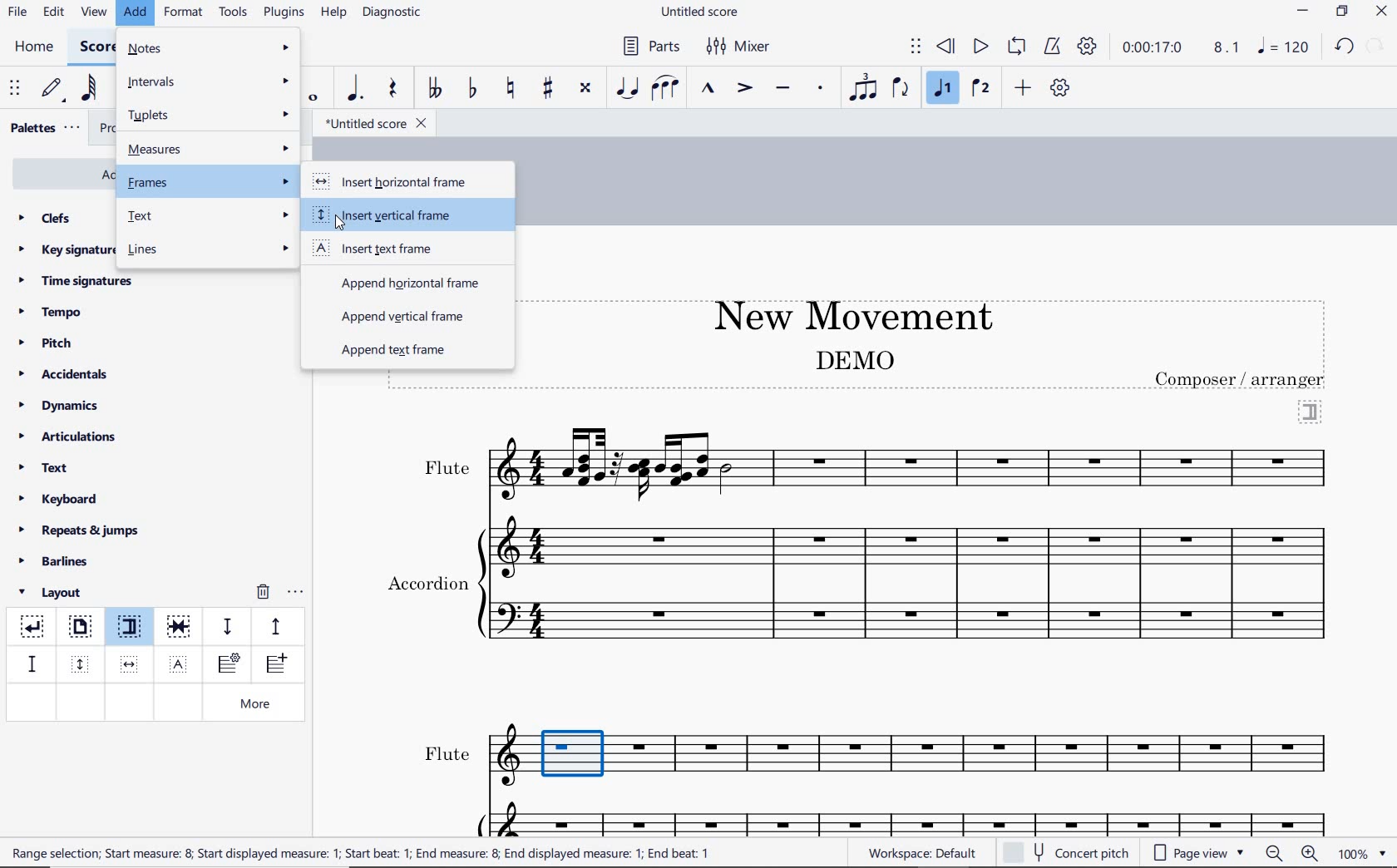 Image resolution: width=1397 pixels, height=868 pixels. I want to click on file, so click(17, 15).